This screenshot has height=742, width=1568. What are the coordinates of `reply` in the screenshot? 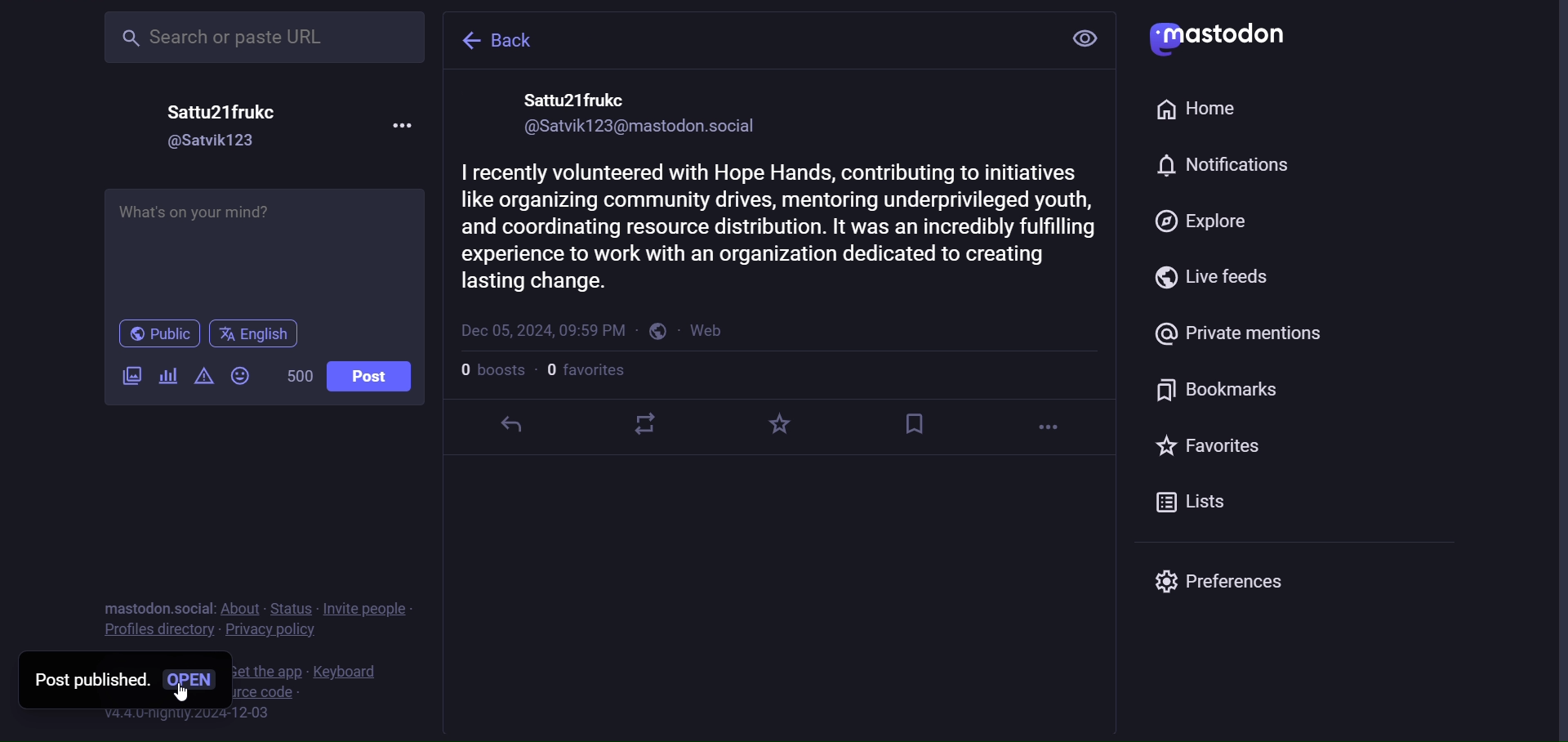 It's located at (519, 429).